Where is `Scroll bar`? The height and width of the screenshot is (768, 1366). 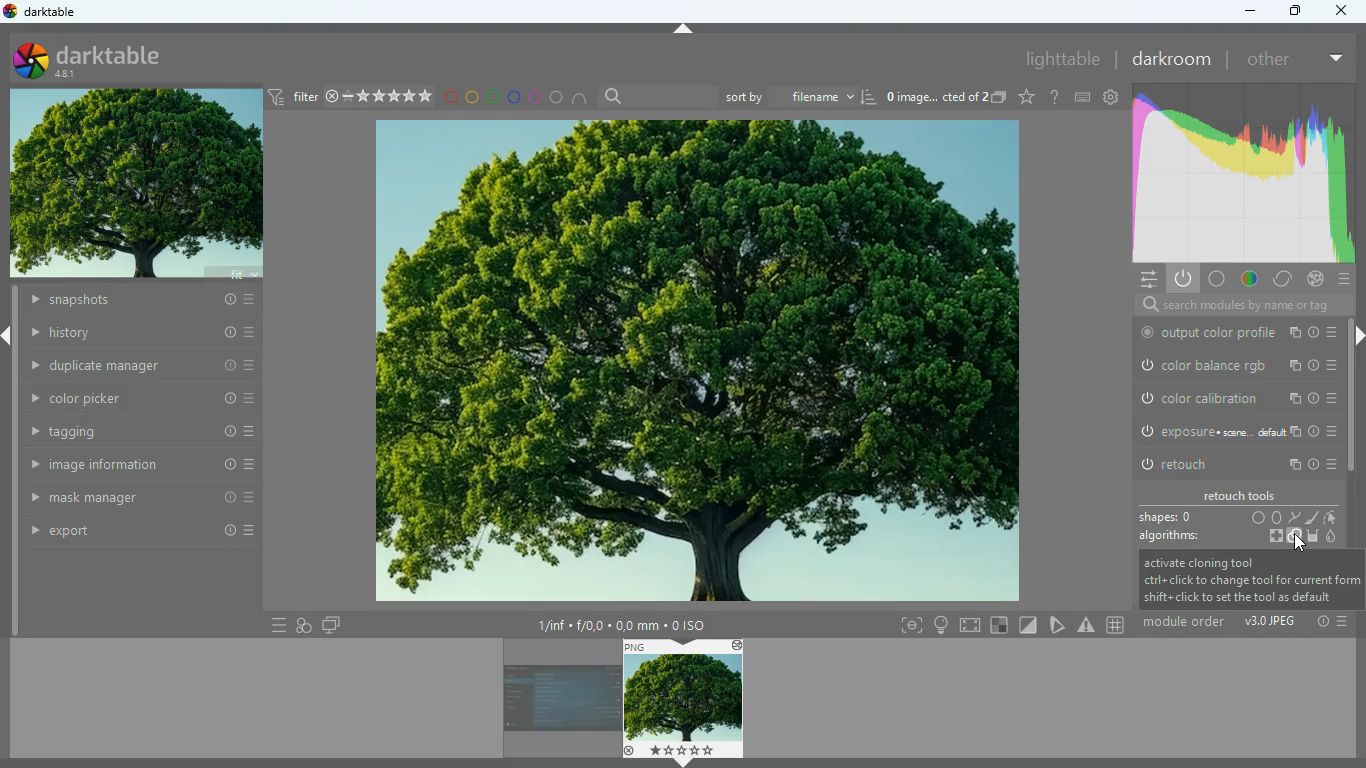 Scroll bar is located at coordinates (1357, 394).